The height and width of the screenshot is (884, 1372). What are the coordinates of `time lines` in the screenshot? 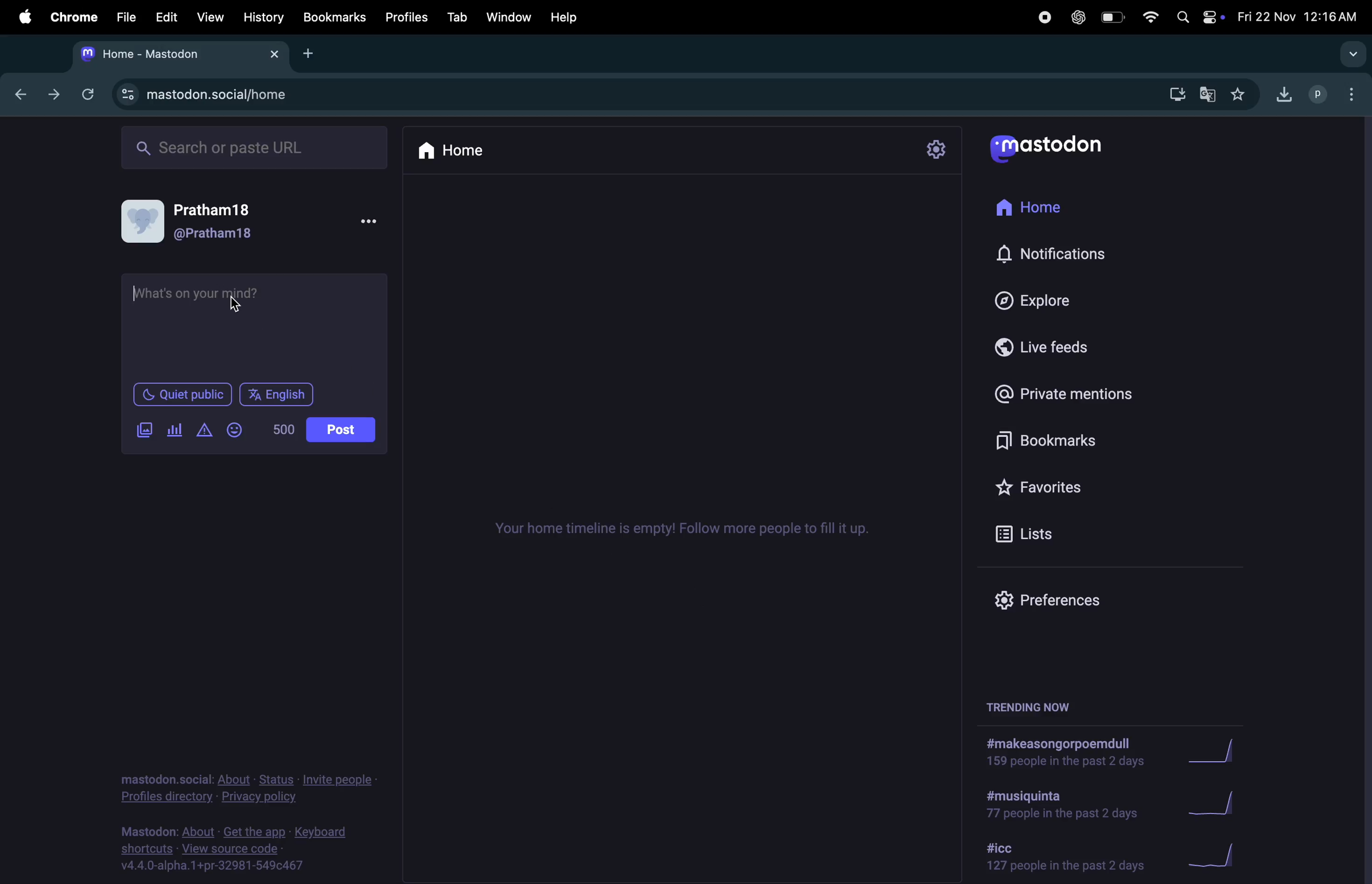 It's located at (693, 525).